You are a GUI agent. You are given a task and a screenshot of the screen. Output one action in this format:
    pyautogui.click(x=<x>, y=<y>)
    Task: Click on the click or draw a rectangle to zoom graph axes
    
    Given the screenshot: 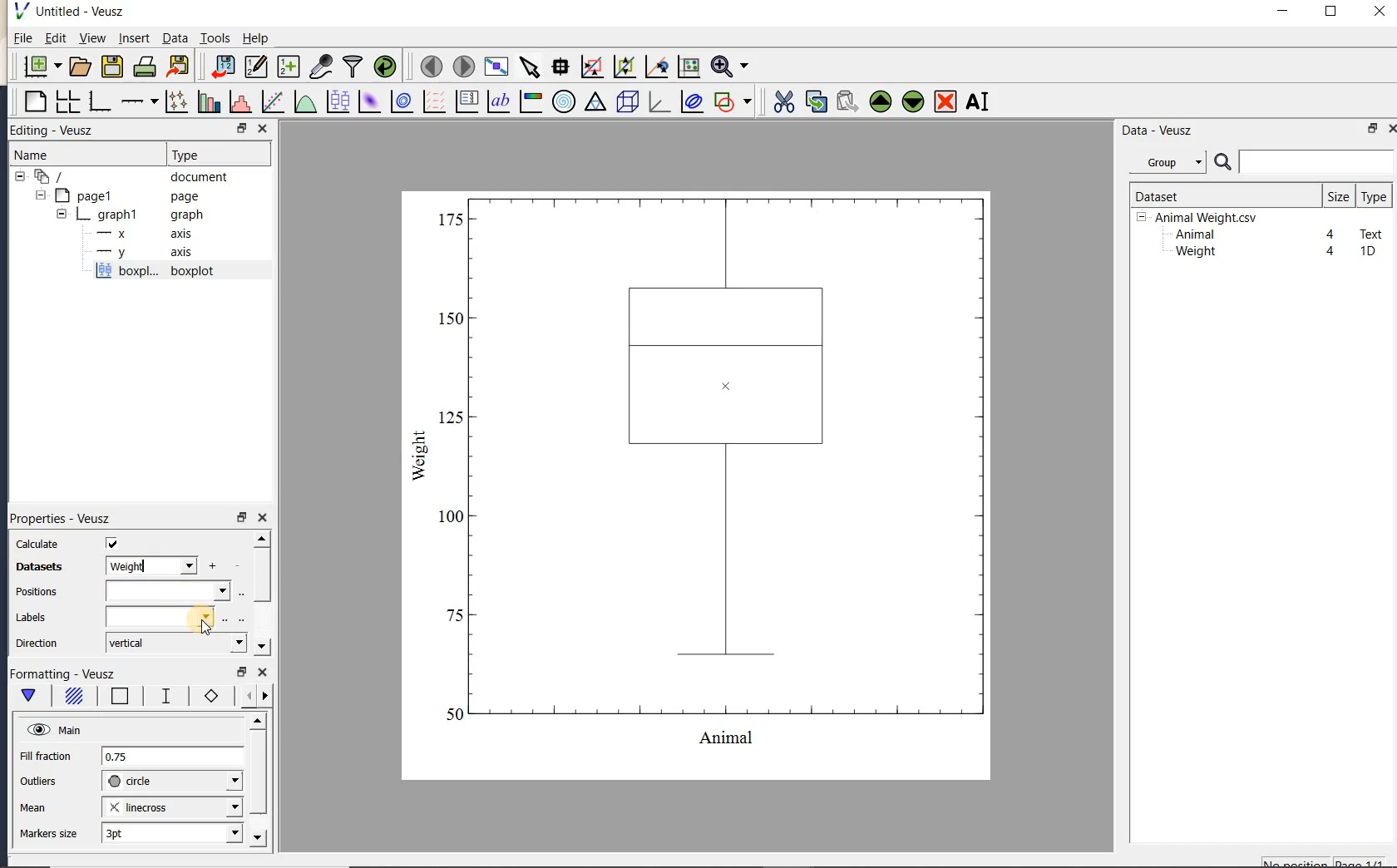 What is the action you would take?
    pyautogui.click(x=591, y=67)
    